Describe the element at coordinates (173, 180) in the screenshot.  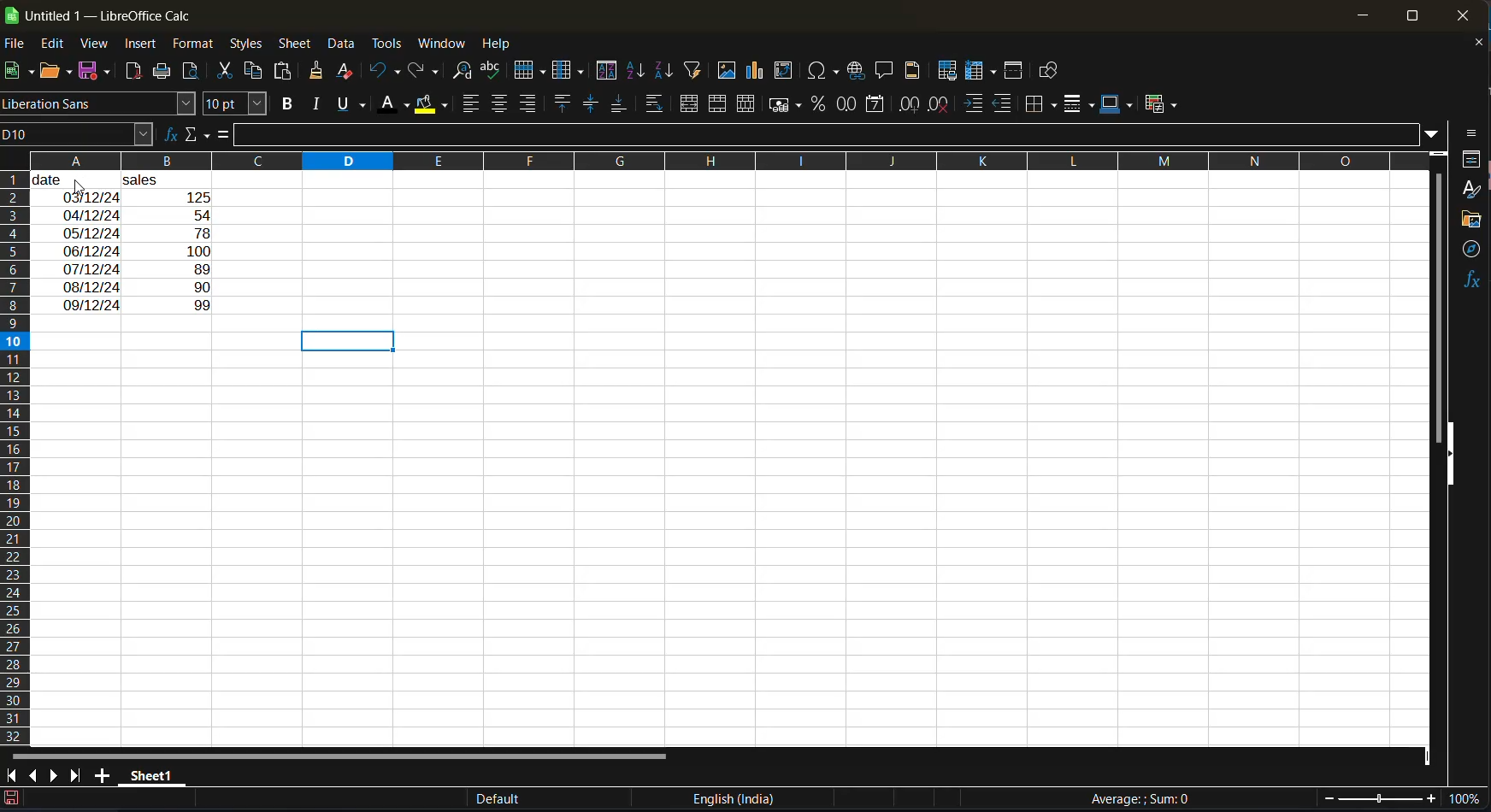
I see `sales` at that location.